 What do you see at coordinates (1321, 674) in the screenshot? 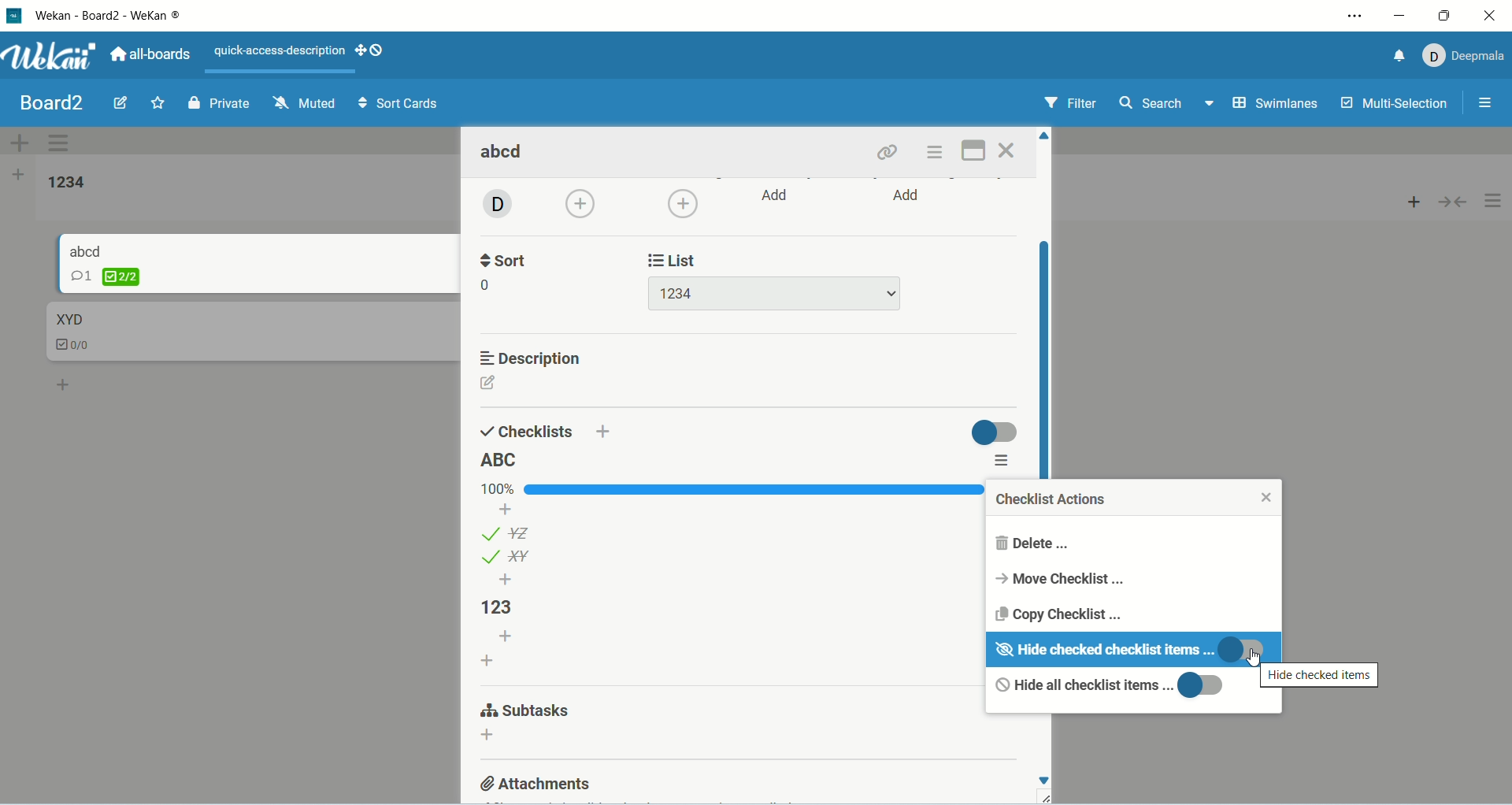
I see `hide checklist items` at bounding box center [1321, 674].